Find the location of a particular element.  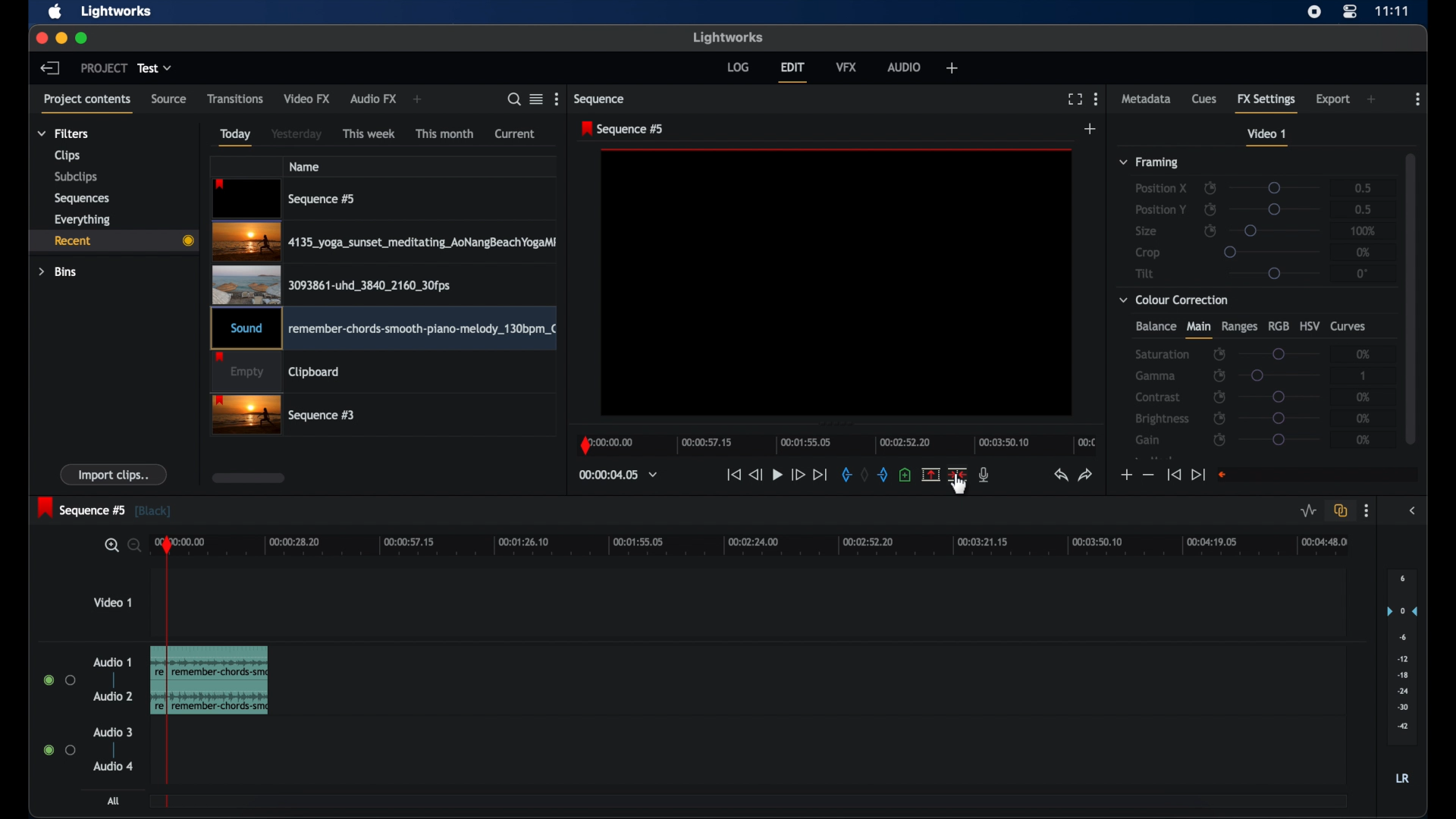

today is located at coordinates (237, 137).